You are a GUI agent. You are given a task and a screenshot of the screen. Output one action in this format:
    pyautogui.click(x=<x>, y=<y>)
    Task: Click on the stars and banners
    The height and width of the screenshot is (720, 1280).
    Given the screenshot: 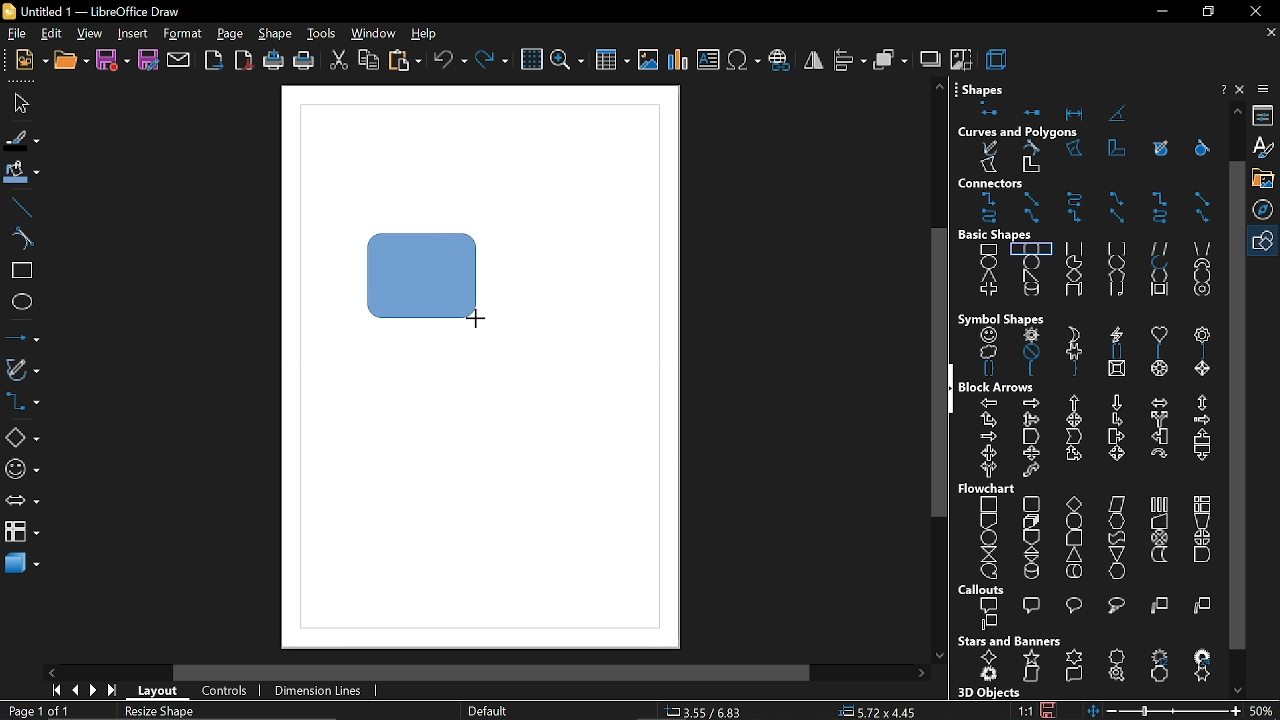 What is the action you would take?
    pyautogui.click(x=1009, y=641)
    